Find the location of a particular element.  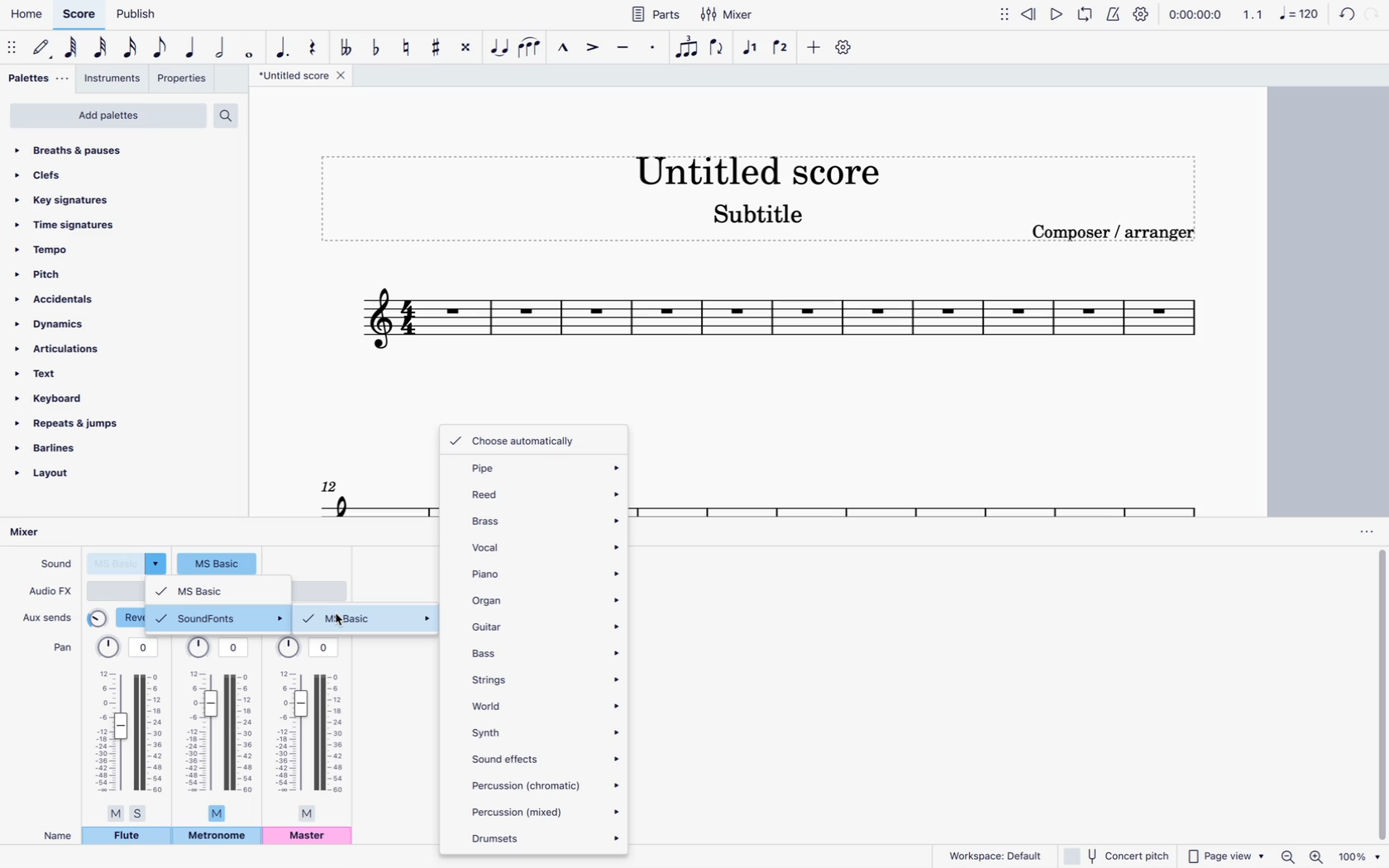

ms basic is located at coordinates (370, 619).